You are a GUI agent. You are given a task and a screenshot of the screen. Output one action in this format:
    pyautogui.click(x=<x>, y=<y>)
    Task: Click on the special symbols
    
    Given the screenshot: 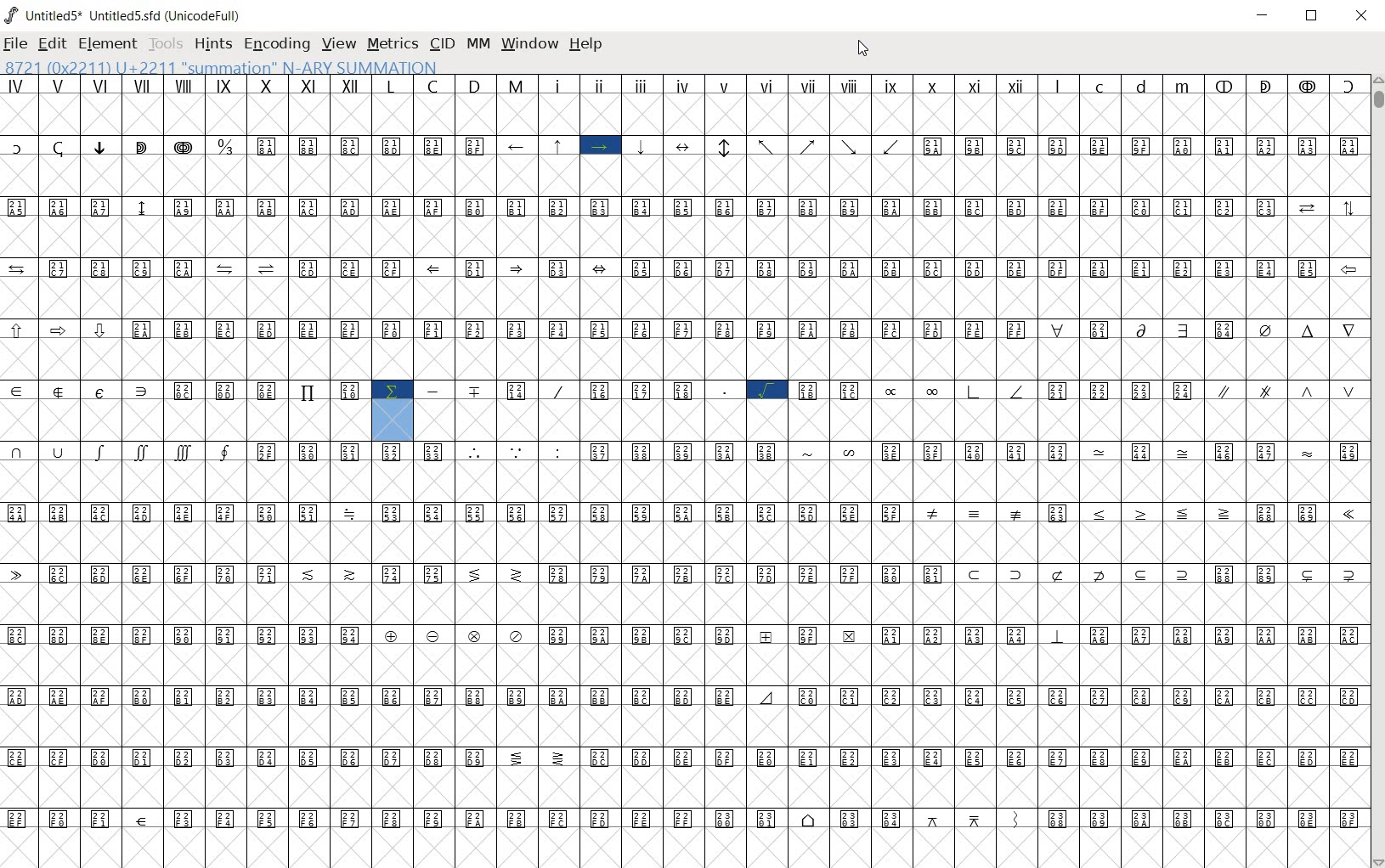 What is the action you would take?
    pyautogui.click(x=687, y=818)
    